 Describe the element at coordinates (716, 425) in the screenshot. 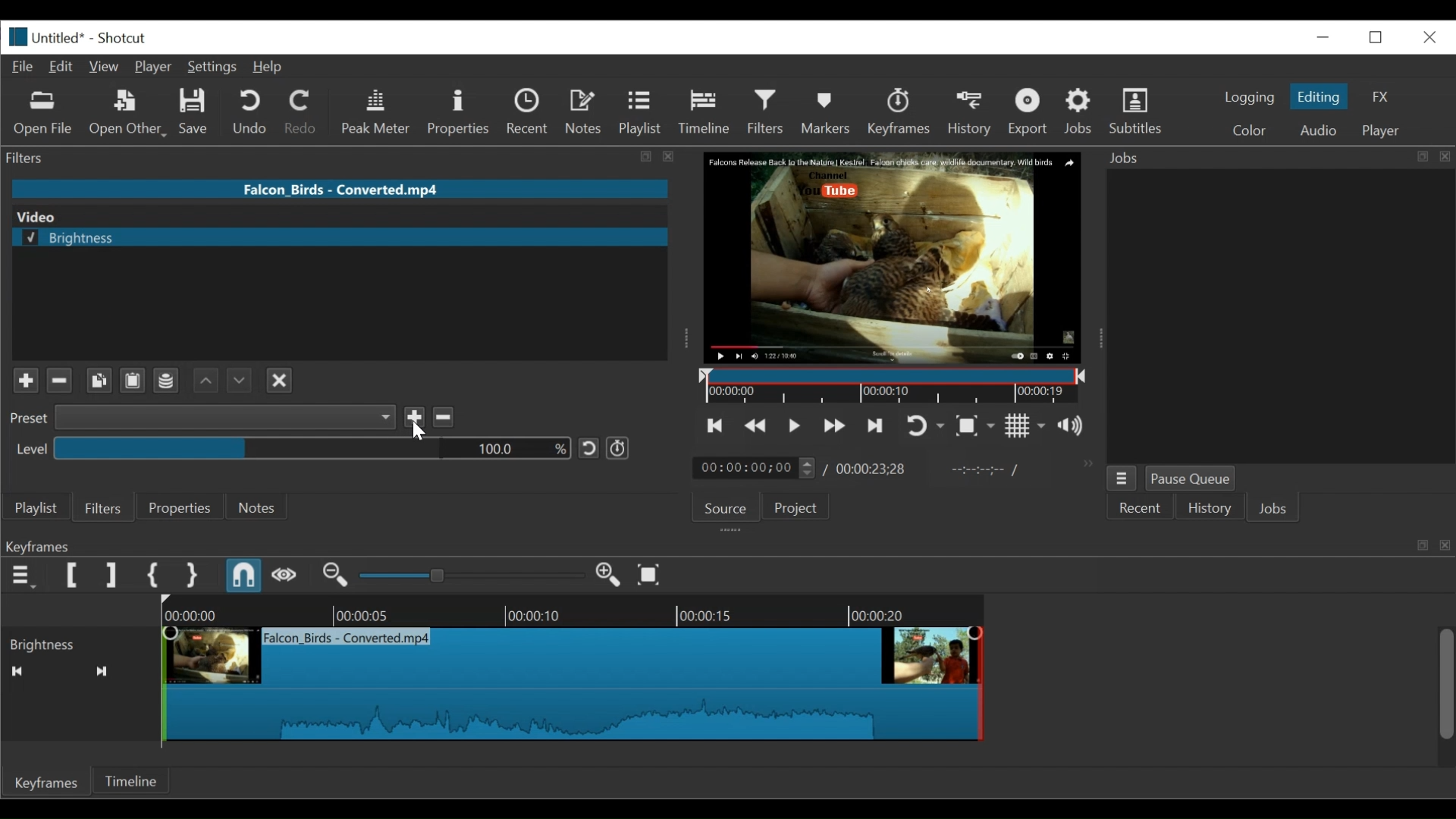

I see `Skip to the previous point` at that location.